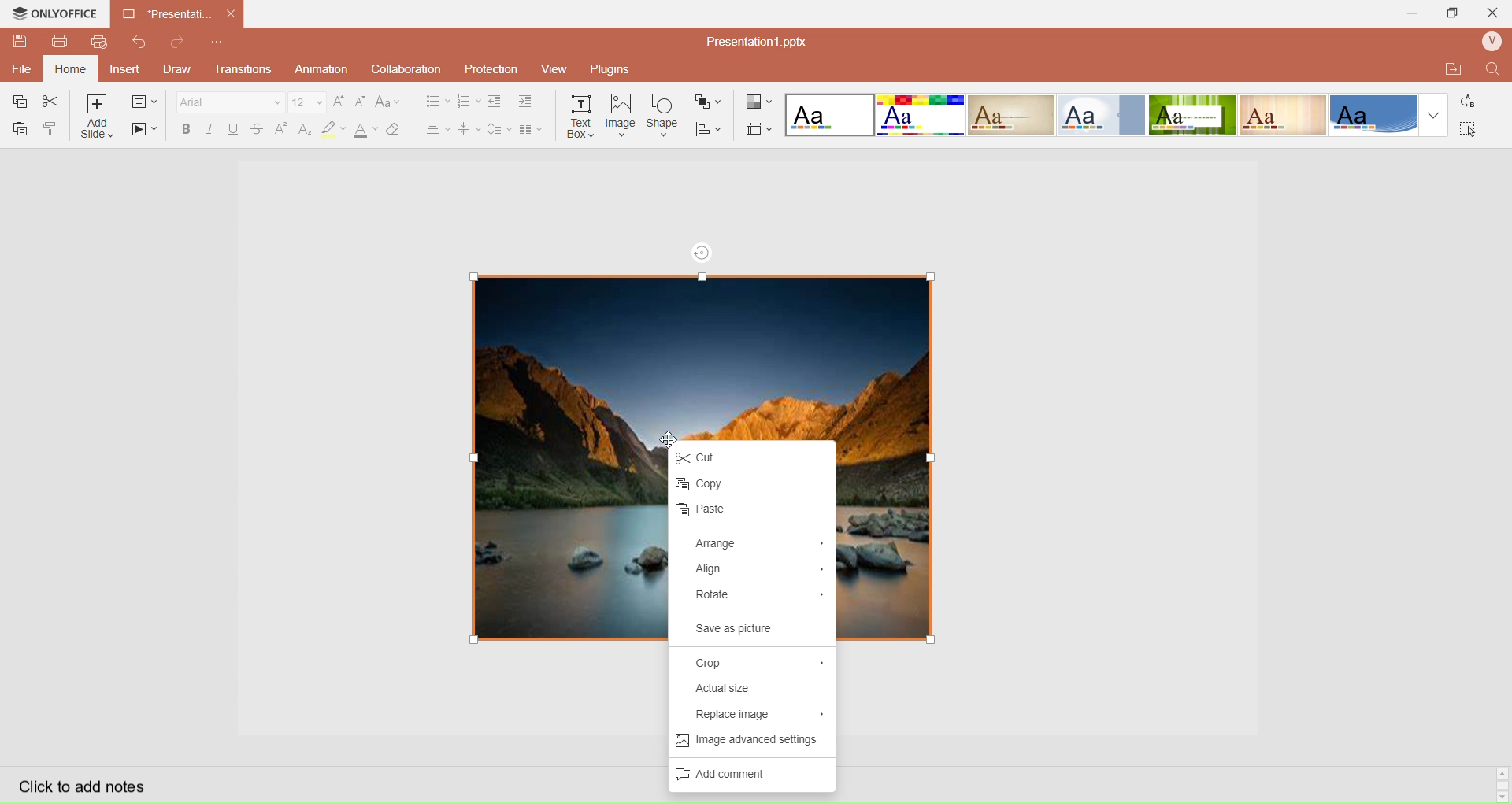 Image resolution: width=1512 pixels, height=803 pixels. What do you see at coordinates (242, 69) in the screenshot?
I see `Transitions` at bounding box center [242, 69].